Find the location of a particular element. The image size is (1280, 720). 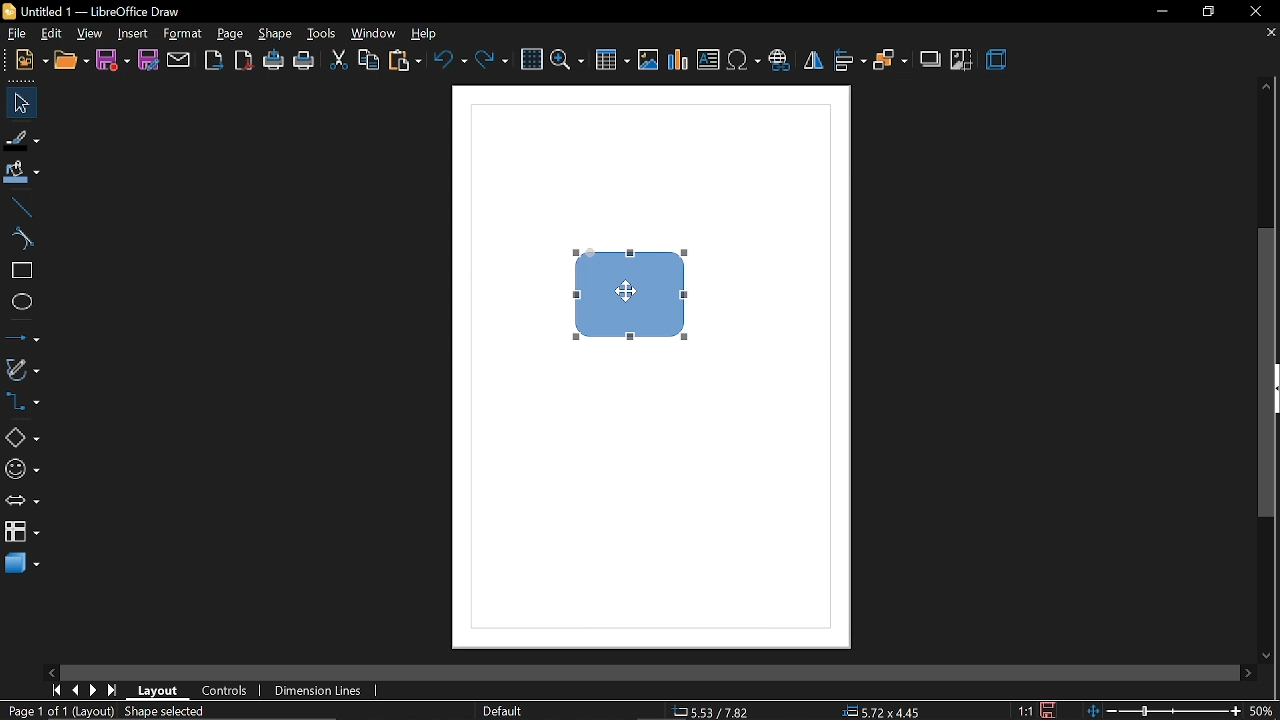

insert image is located at coordinates (646, 61).